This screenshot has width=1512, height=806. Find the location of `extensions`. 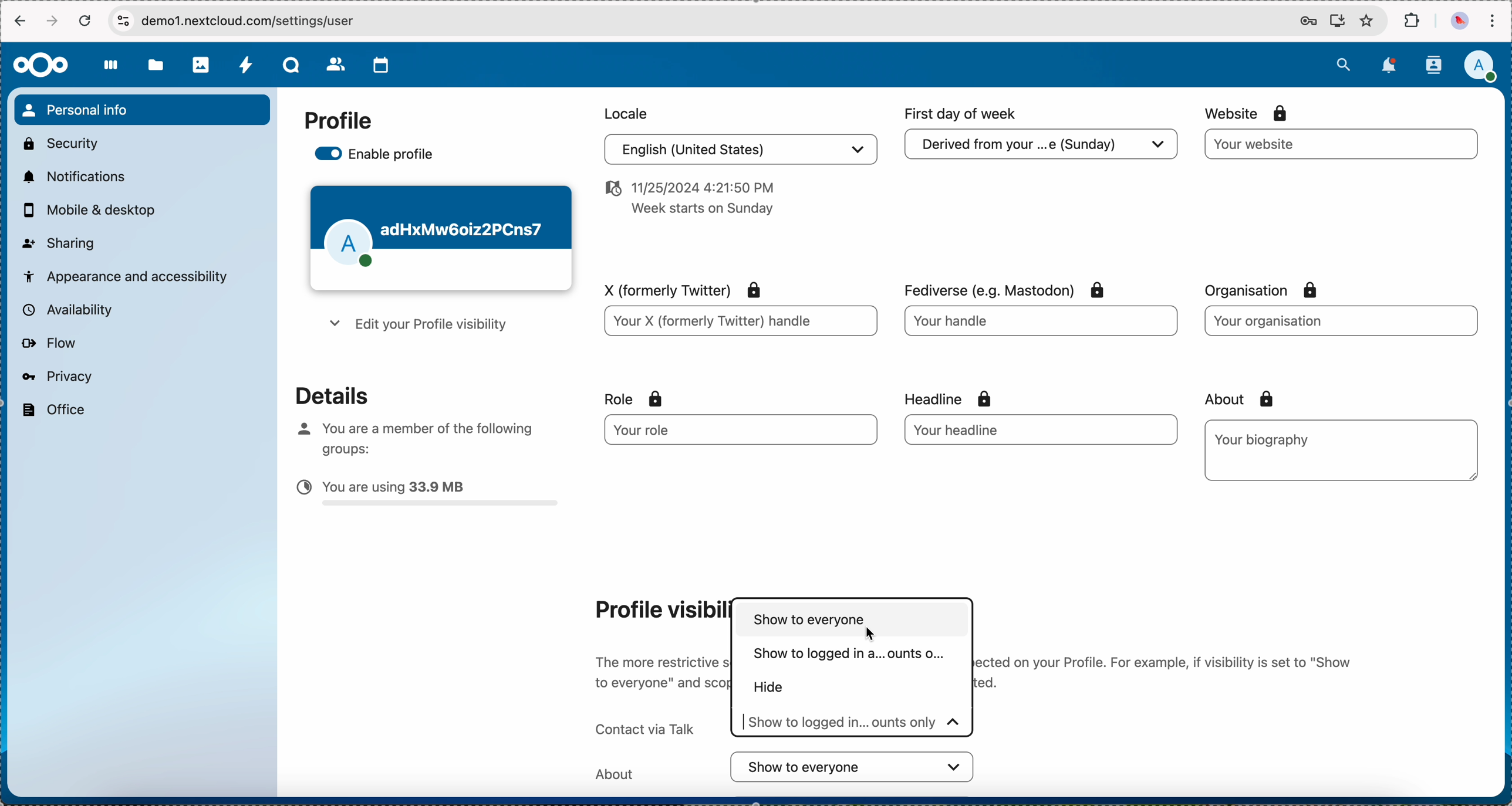

extensions is located at coordinates (1413, 21).